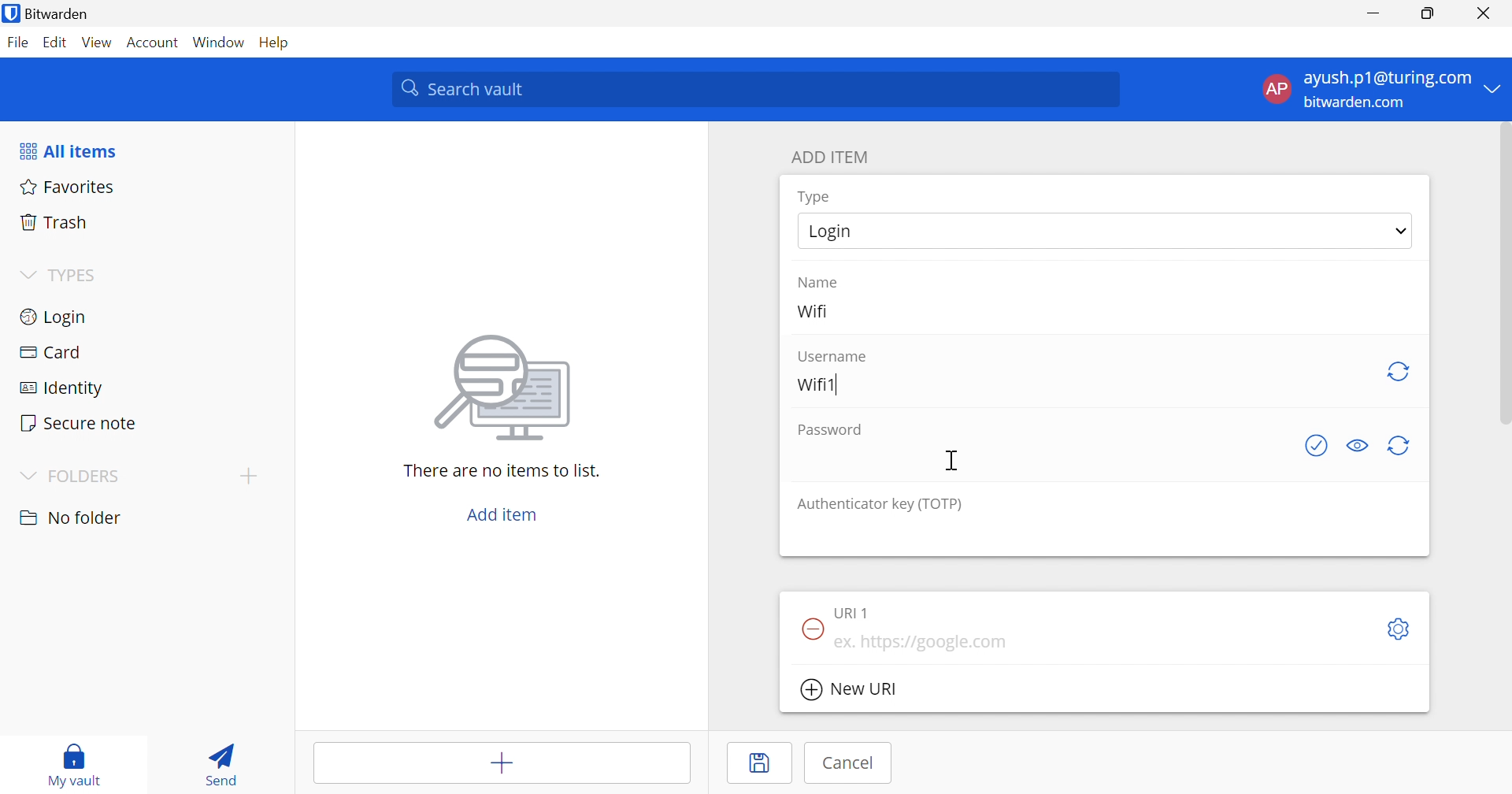  I want to click on scrollbar, so click(1503, 273).